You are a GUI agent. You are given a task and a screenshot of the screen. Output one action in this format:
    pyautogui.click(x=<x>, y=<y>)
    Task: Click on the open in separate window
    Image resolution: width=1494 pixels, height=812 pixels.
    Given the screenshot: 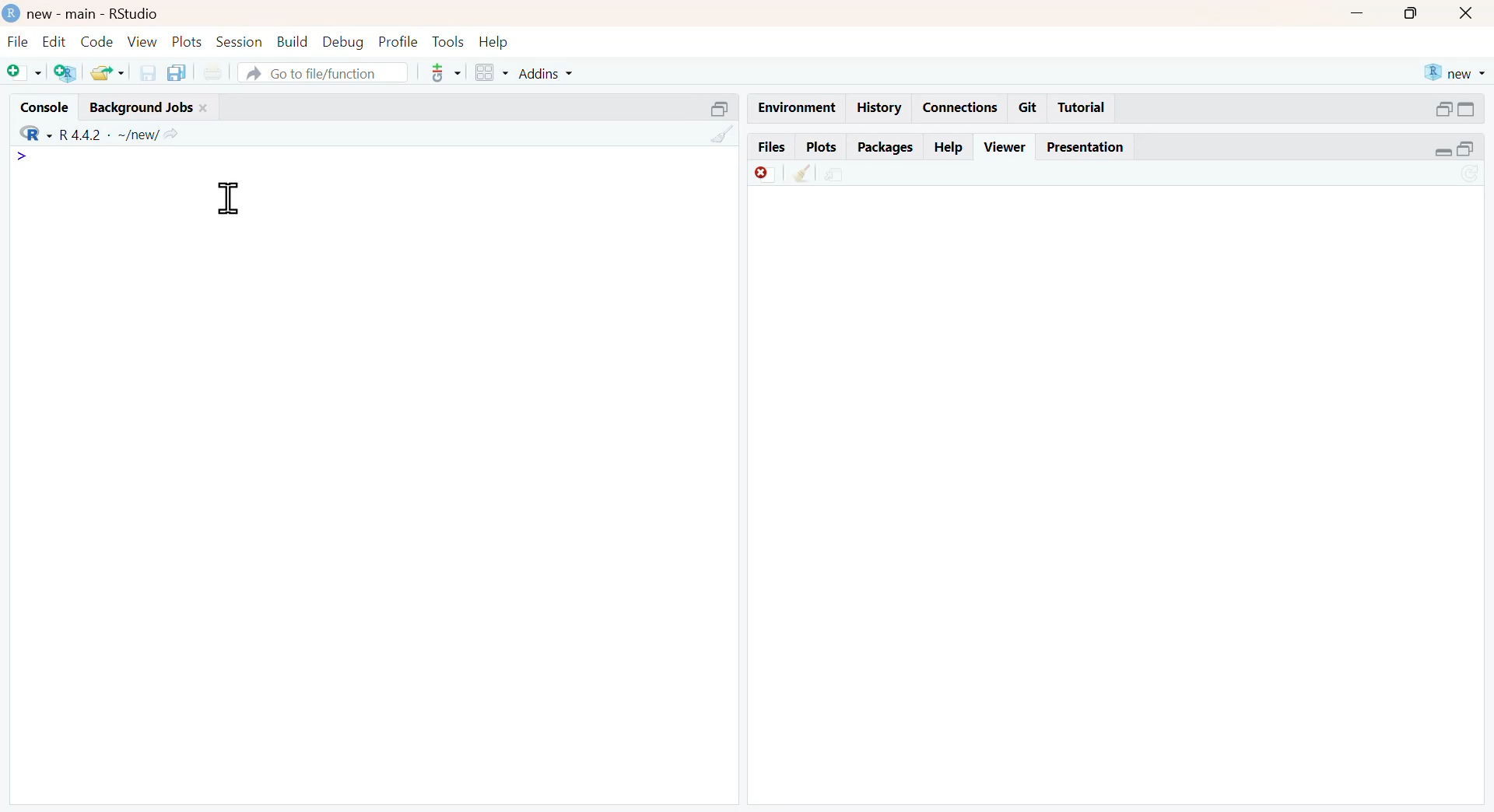 What is the action you would take?
    pyautogui.click(x=1444, y=110)
    